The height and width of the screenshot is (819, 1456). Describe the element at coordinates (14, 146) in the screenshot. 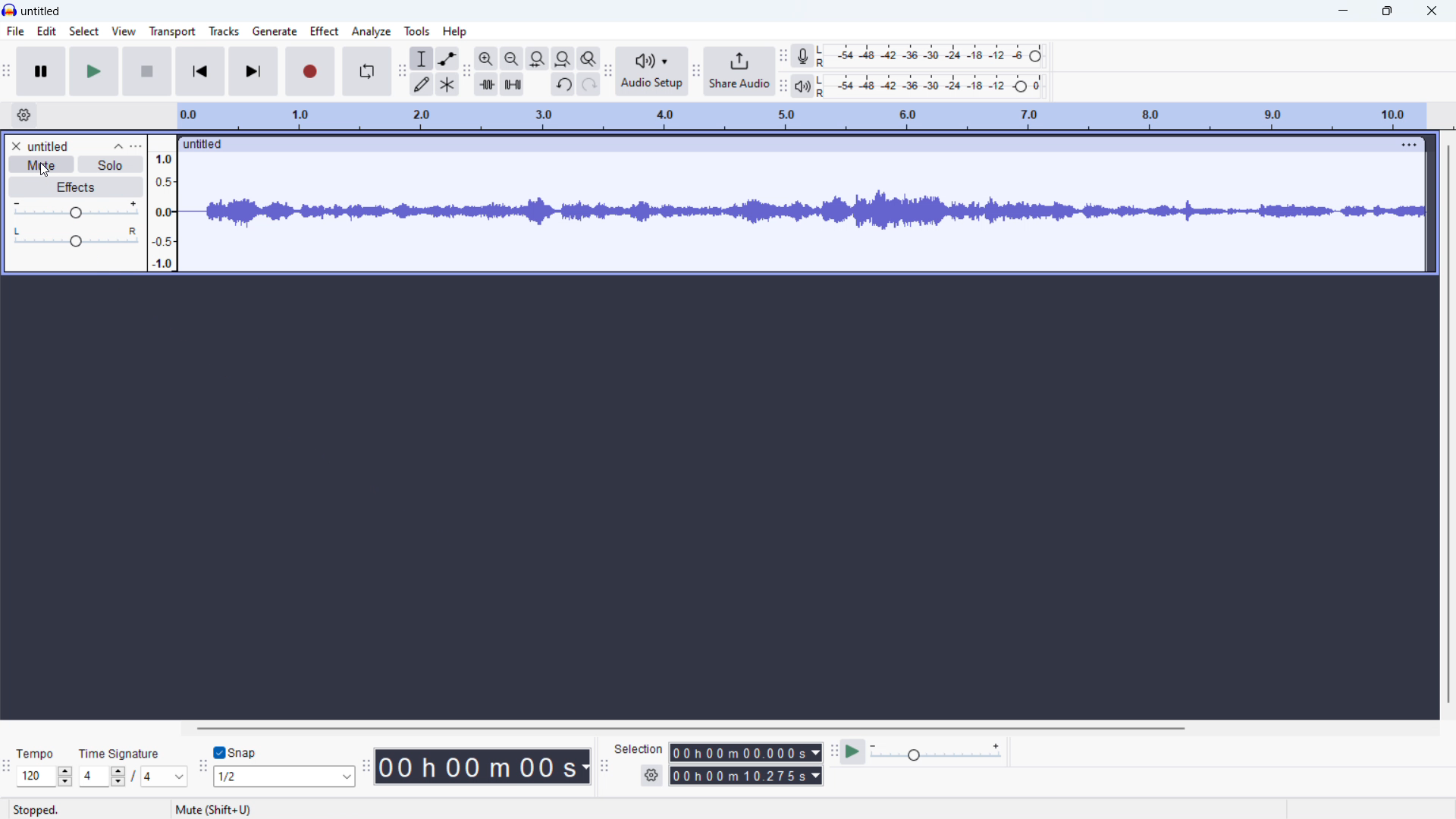

I see `remove track` at that location.